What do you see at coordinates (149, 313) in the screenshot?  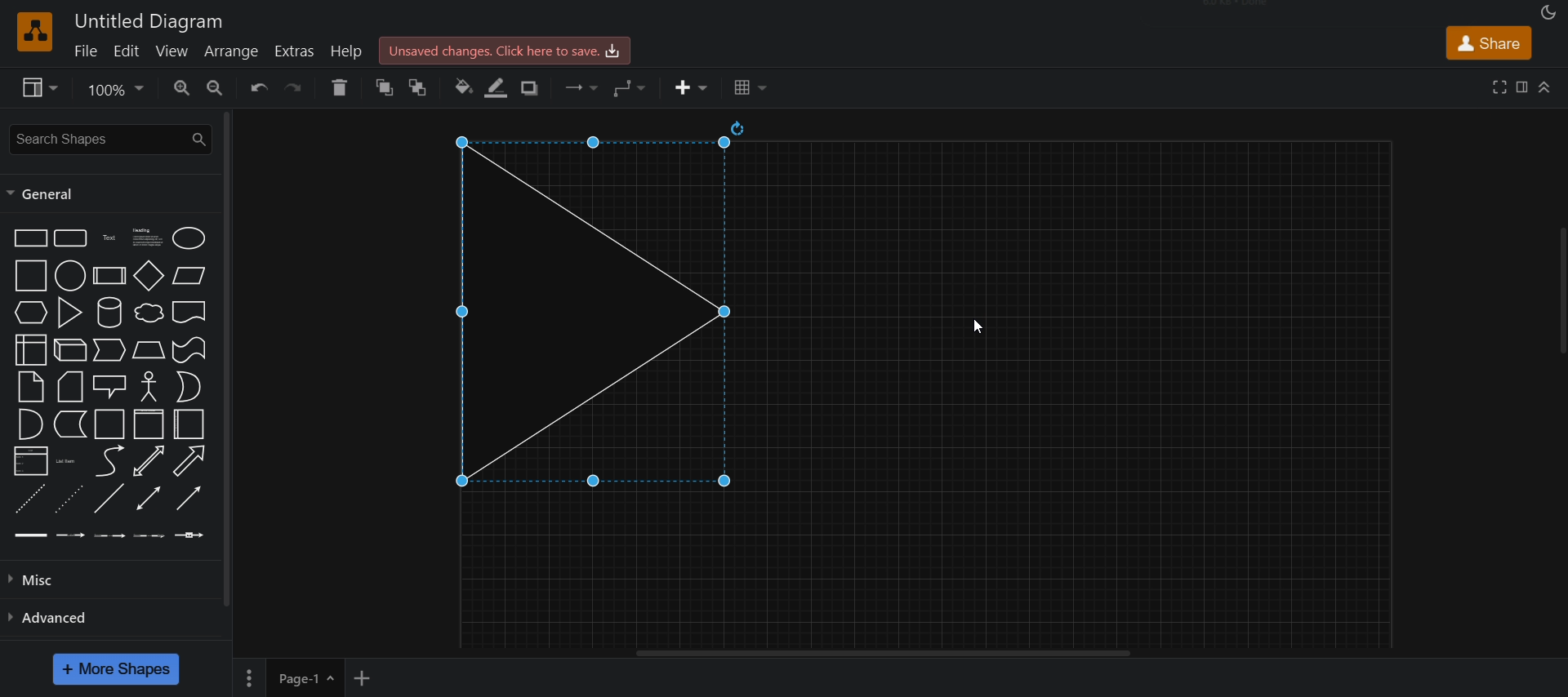 I see `cloud` at bounding box center [149, 313].